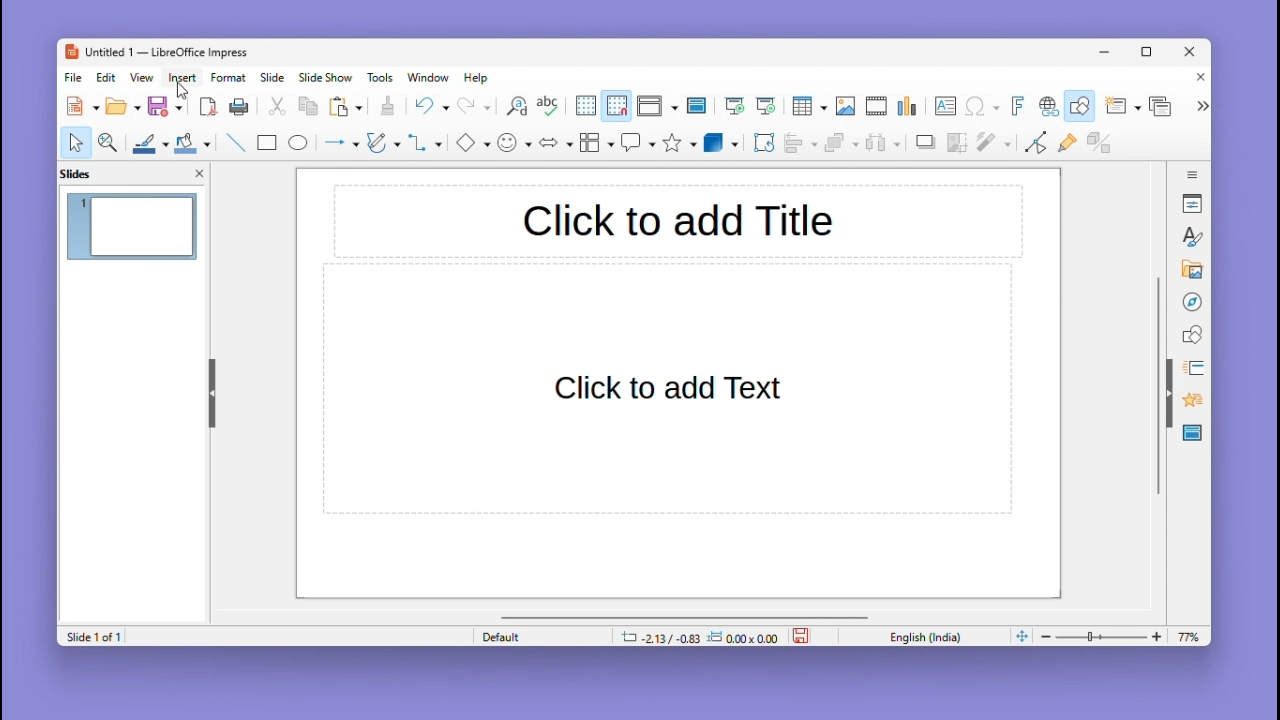  I want to click on Comment box, so click(638, 142).